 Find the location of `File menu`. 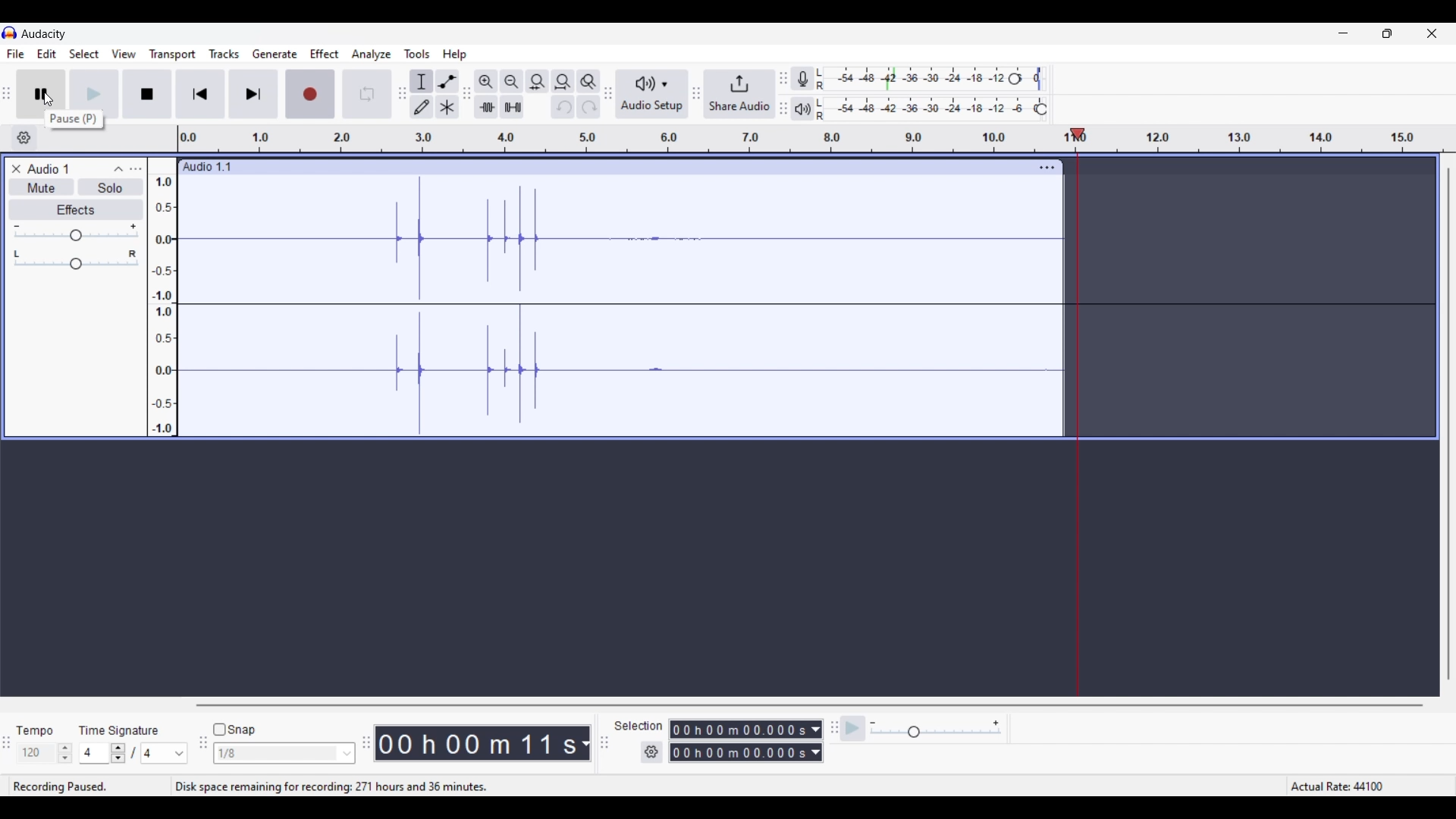

File menu is located at coordinates (15, 55).